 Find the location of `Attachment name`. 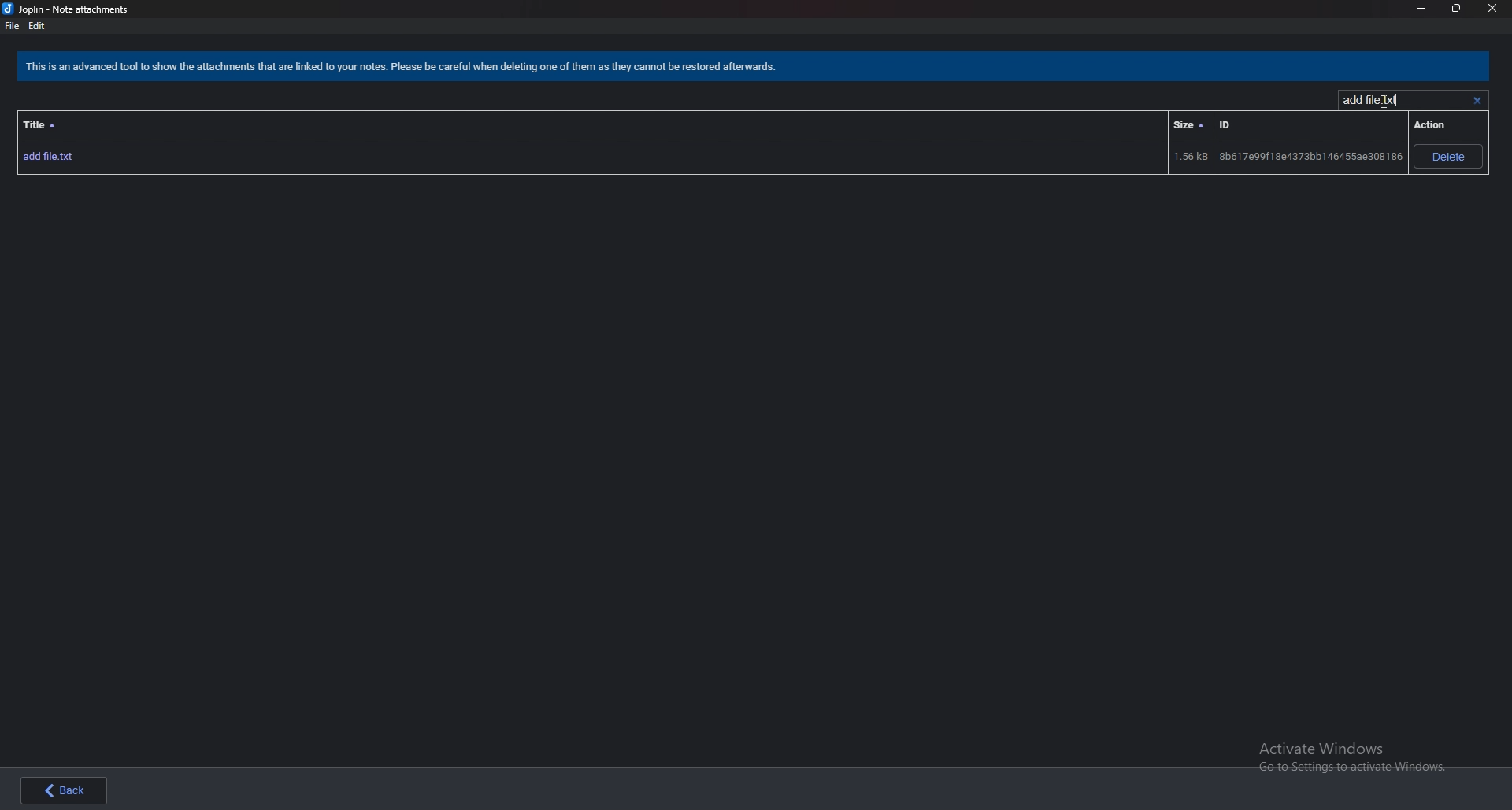

Attachment name is located at coordinates (1375, 99).